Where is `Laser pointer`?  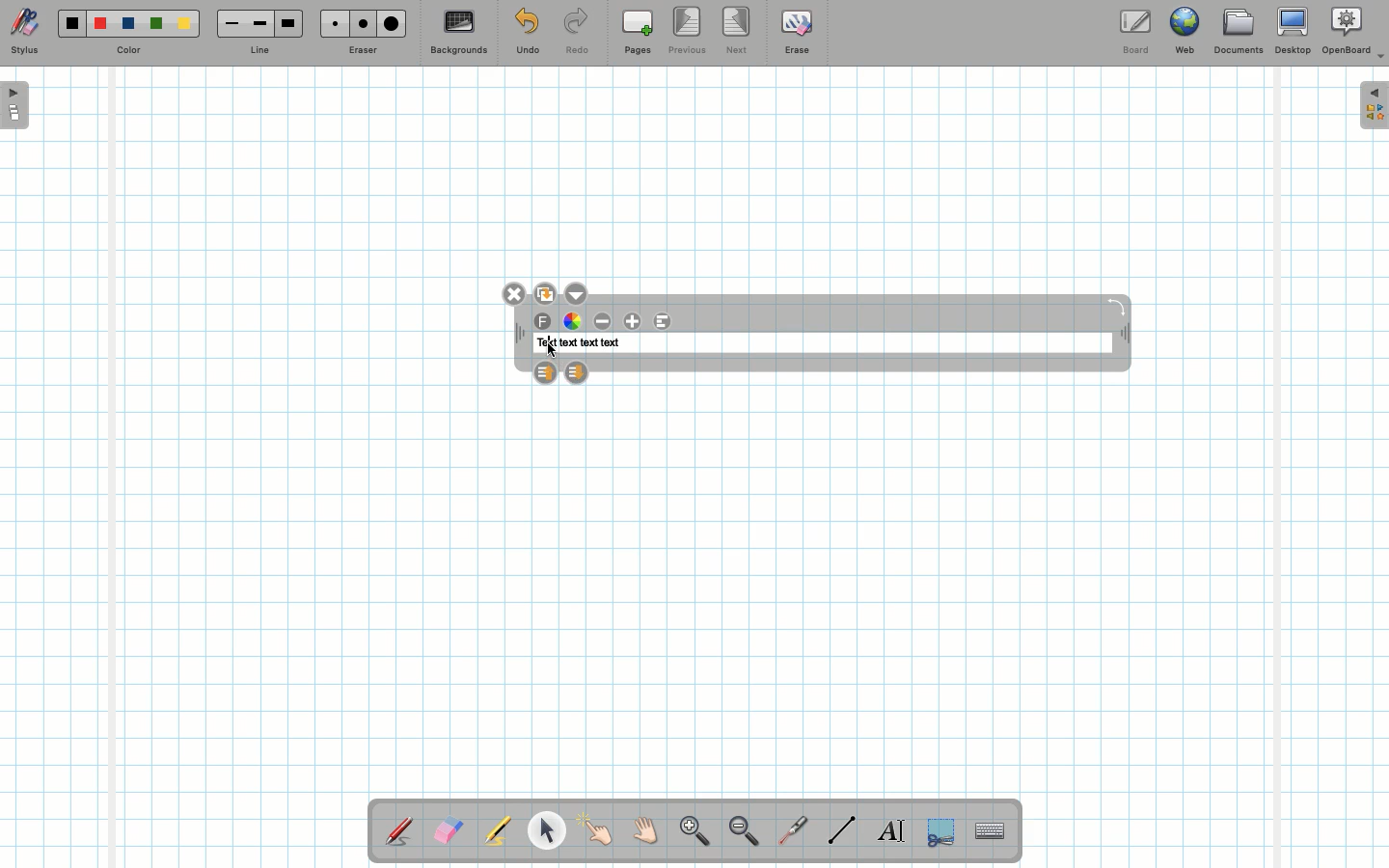 Laser pointer is located at coordinates (789, 831).